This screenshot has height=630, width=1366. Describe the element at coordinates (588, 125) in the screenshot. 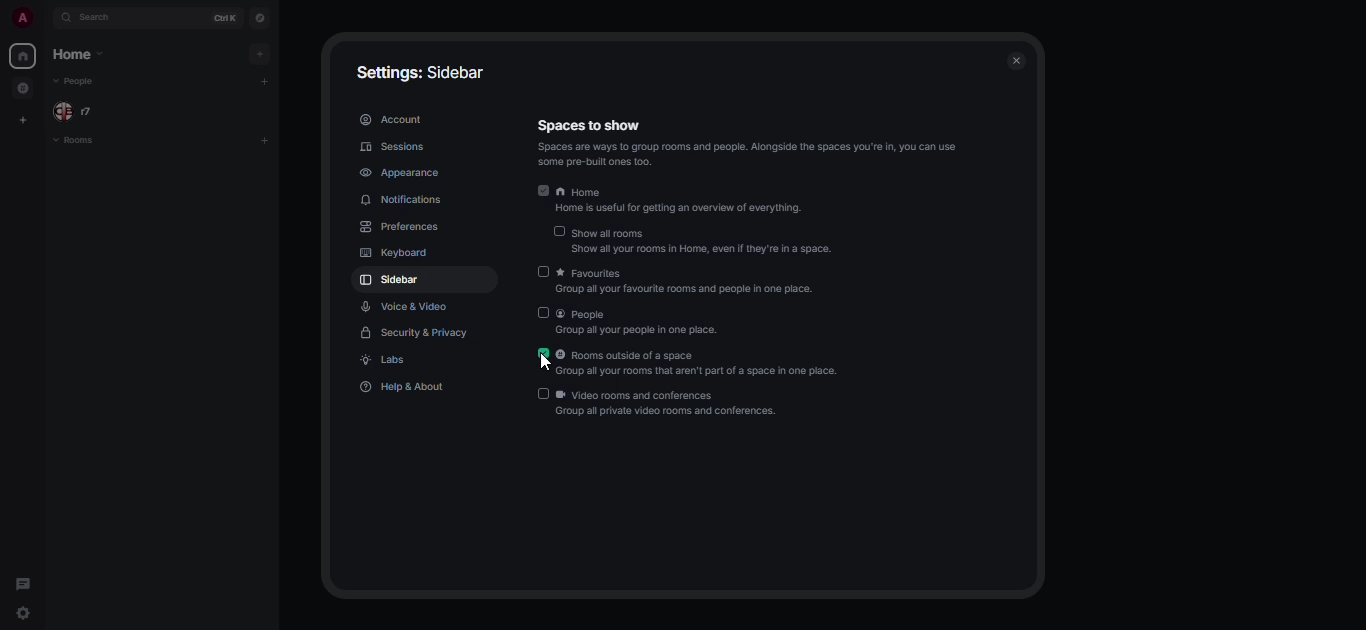

I see `spaces to show` at that location.